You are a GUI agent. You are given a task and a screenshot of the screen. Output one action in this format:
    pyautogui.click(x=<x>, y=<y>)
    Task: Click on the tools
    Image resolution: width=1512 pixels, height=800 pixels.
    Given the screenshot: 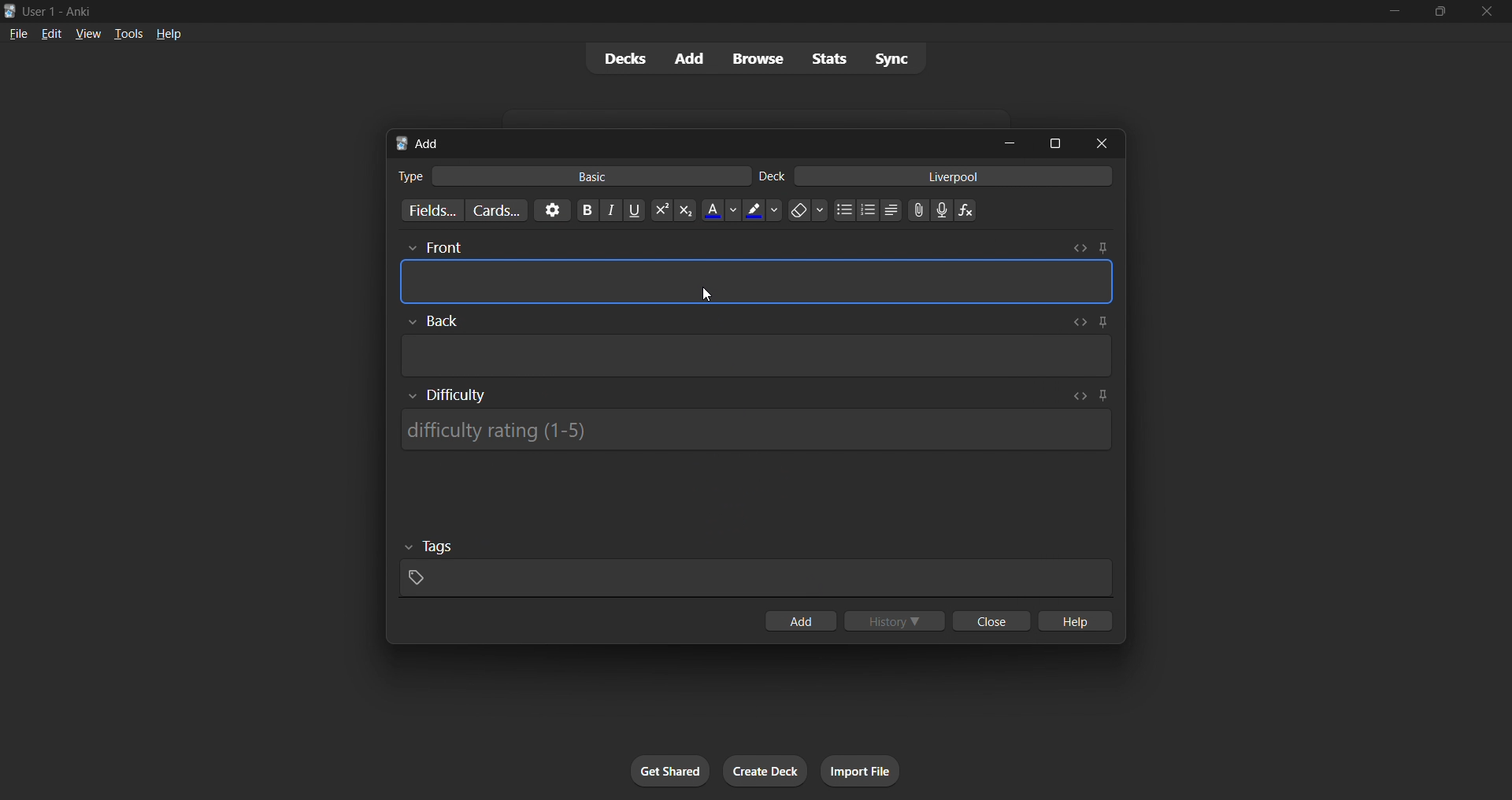 What is the action you would take?
    pyautogui.click(x=127, y=33)
    